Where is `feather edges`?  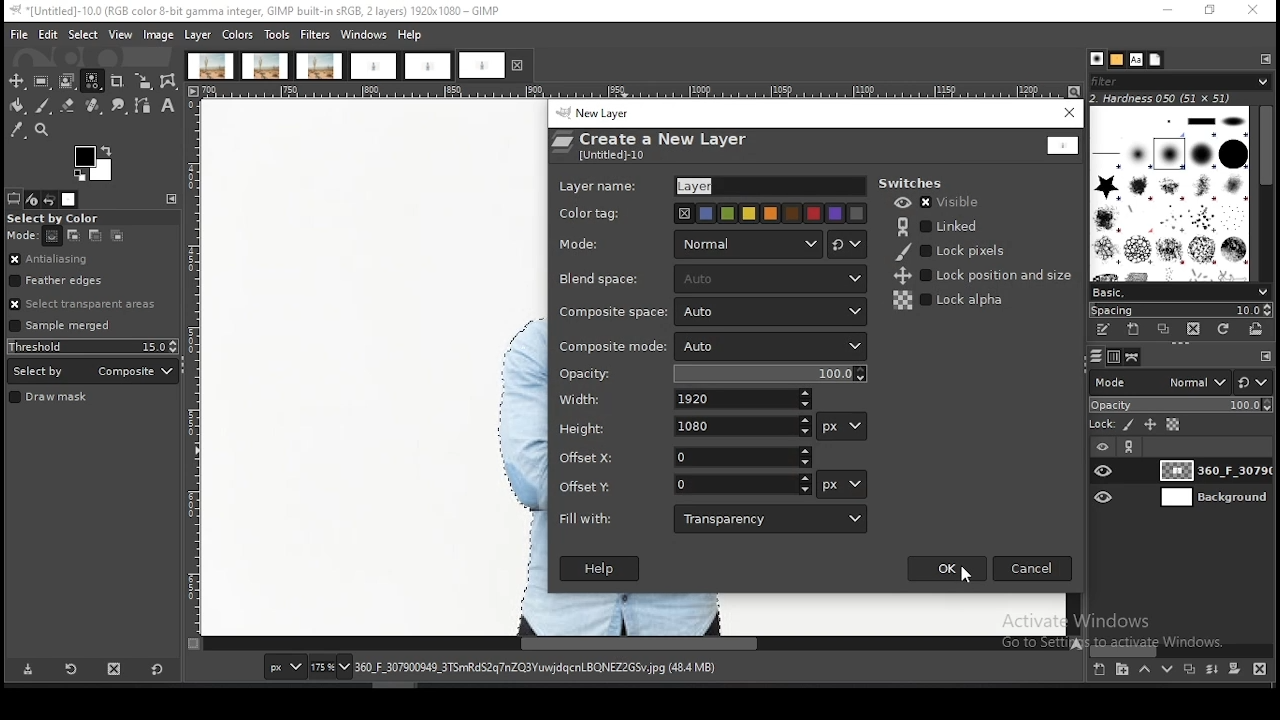
feather edges is located at coordinates (94, 280).